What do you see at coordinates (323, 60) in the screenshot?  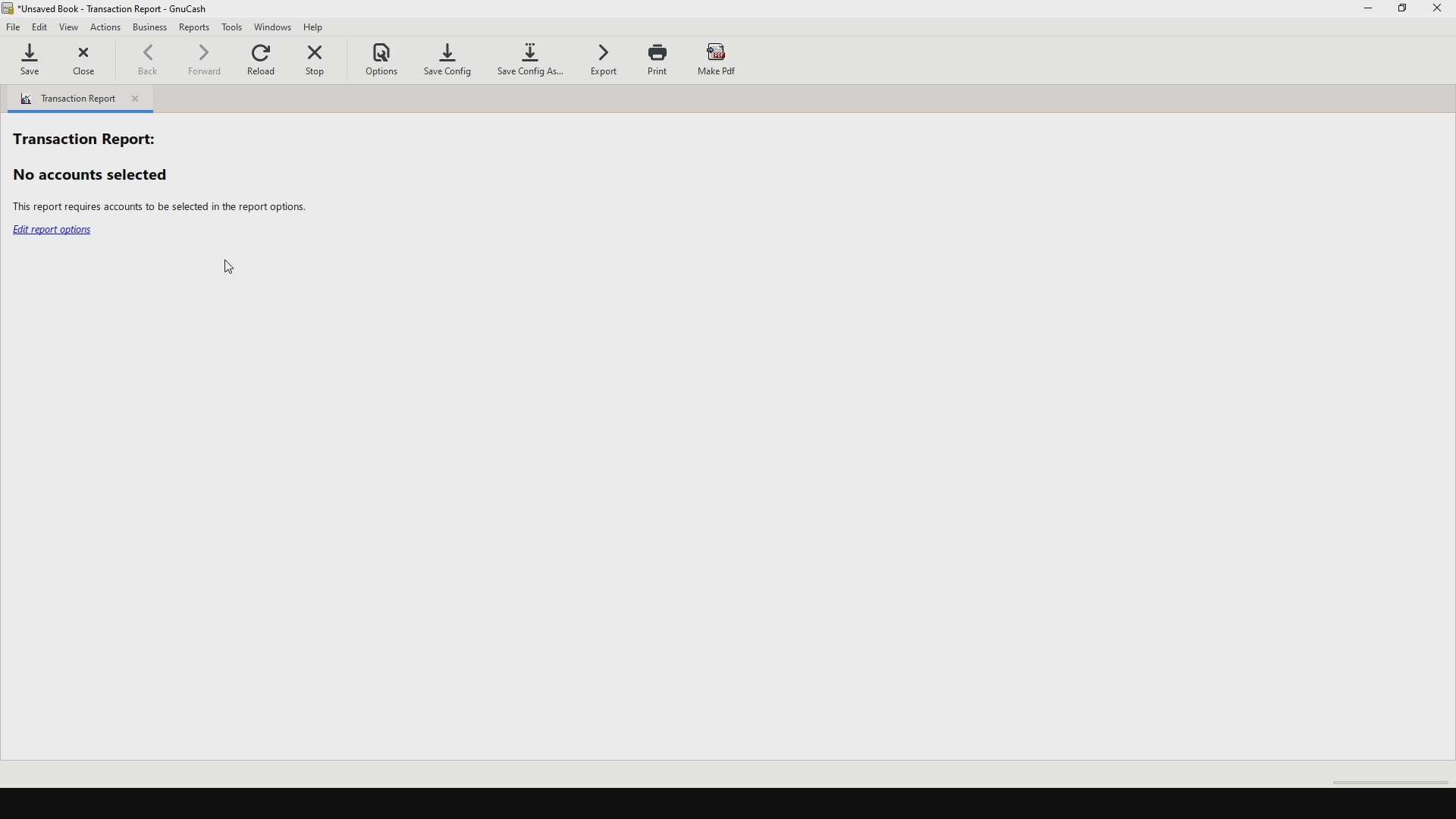 I see `stop` at bounding box center [323, 60].